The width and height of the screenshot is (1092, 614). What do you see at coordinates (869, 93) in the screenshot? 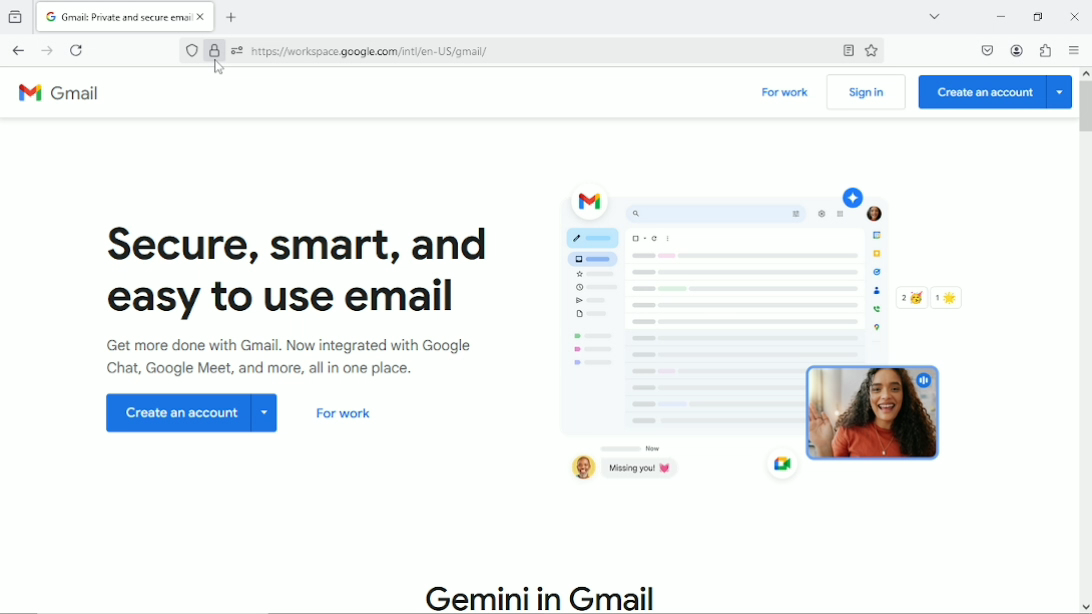
I see `Sign in` at bounding box center [869, 93].